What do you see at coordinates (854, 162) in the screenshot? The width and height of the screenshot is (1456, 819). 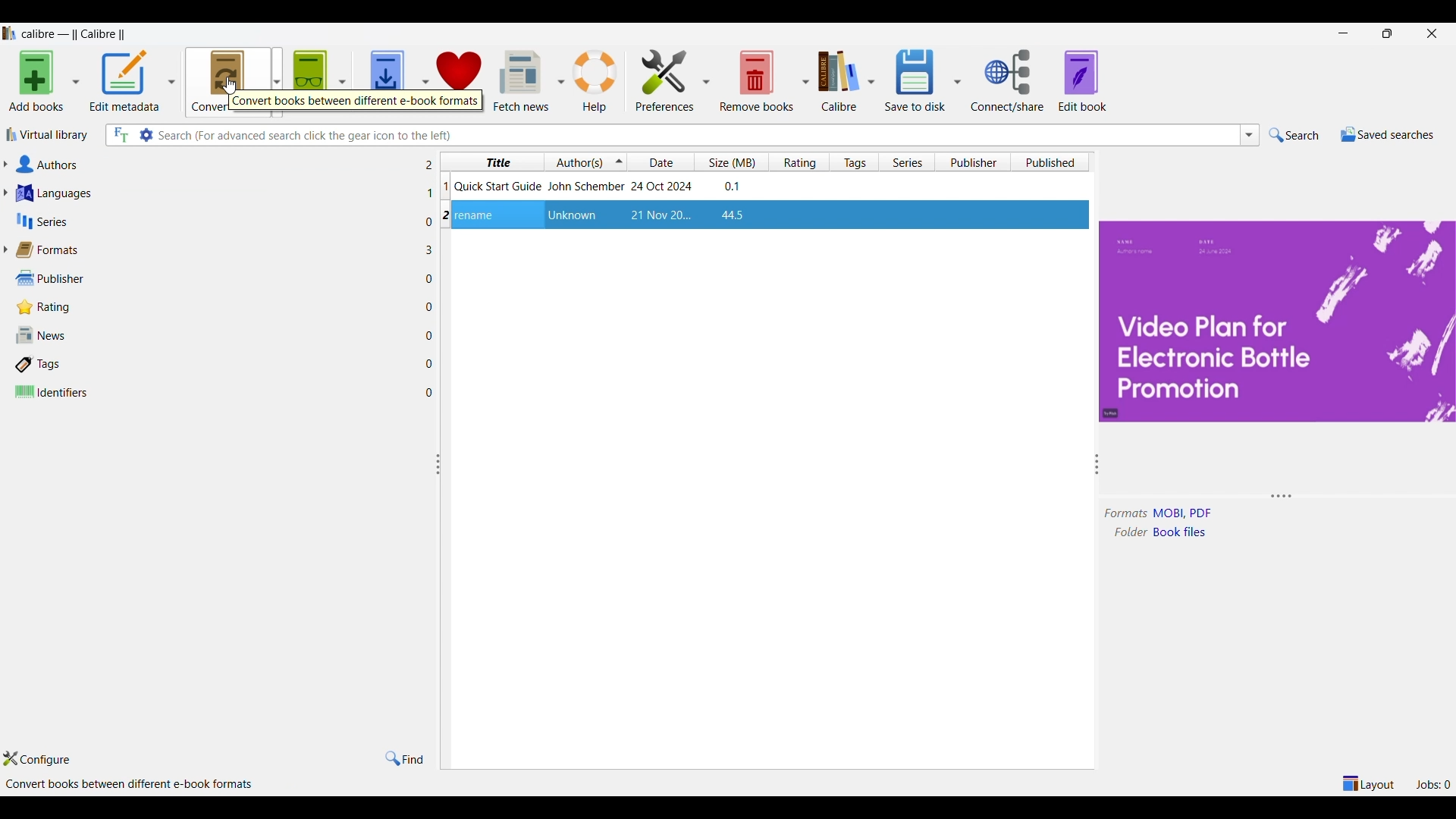 I see `Tags column` at bounding box center [854, 162].